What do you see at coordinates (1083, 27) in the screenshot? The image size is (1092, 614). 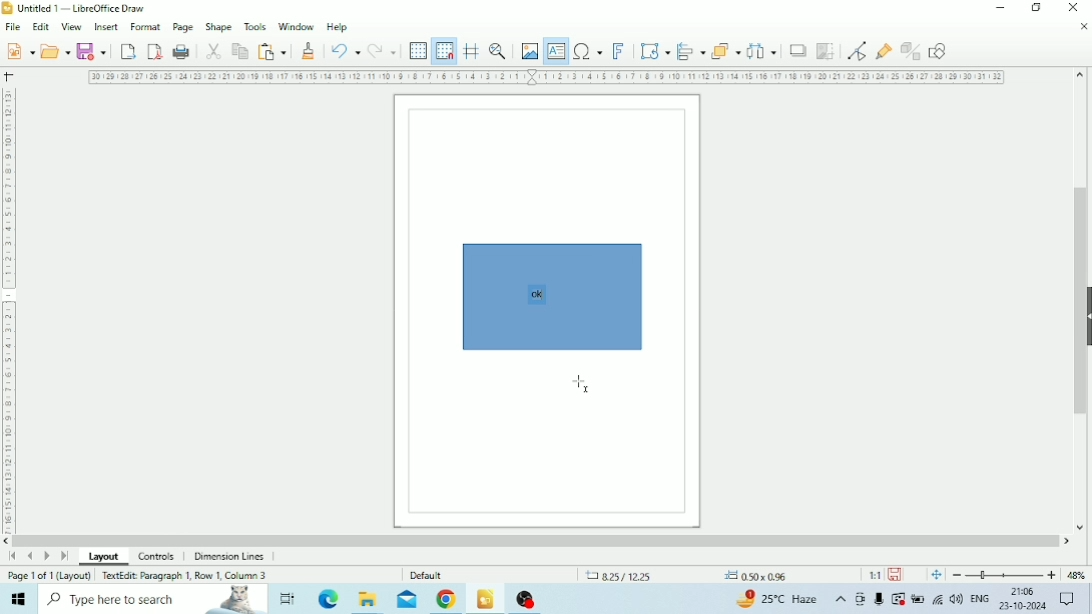 I see `Close Document` at bounding box center [1083, 27].